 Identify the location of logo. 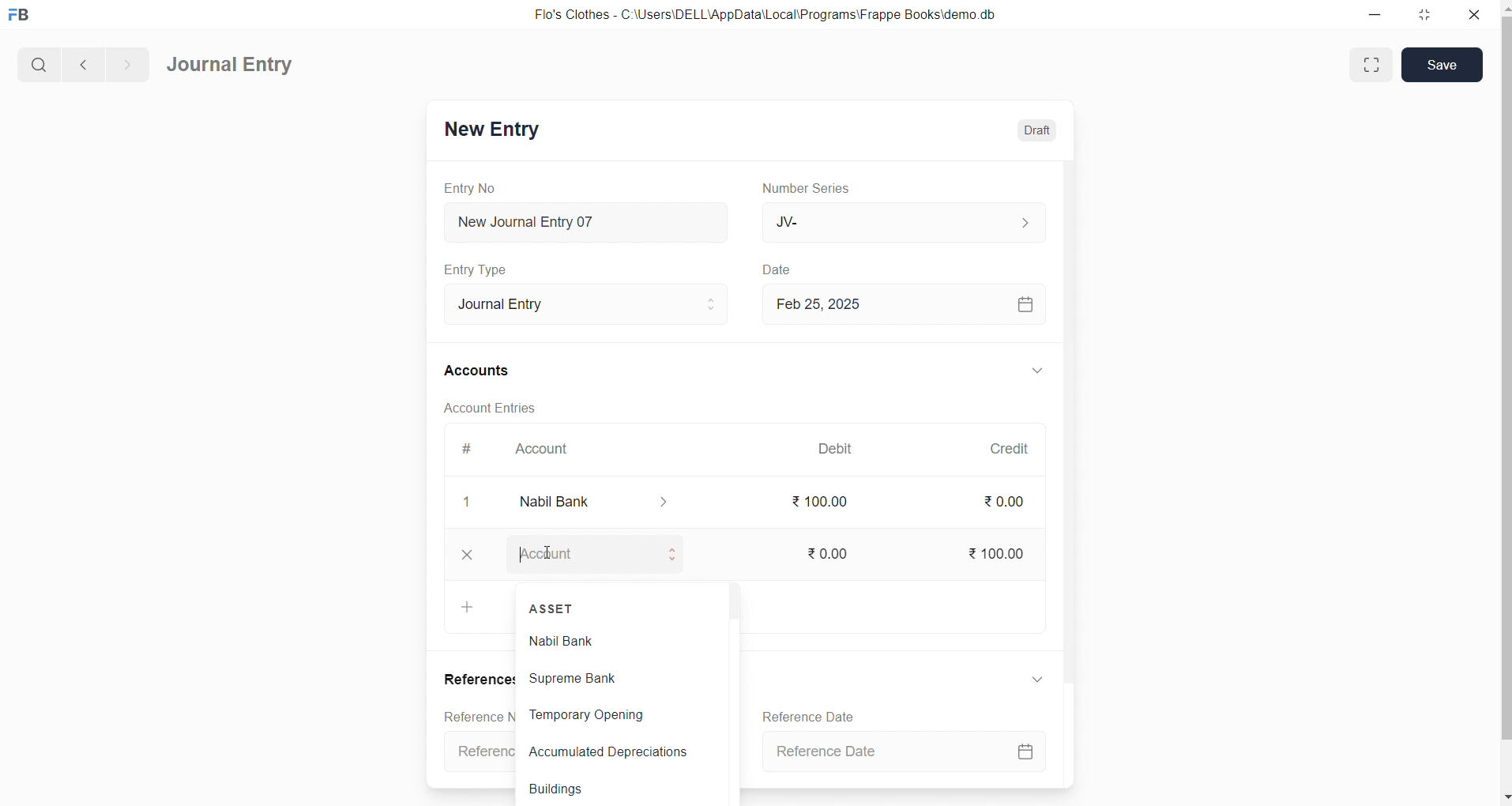
(23, 16).